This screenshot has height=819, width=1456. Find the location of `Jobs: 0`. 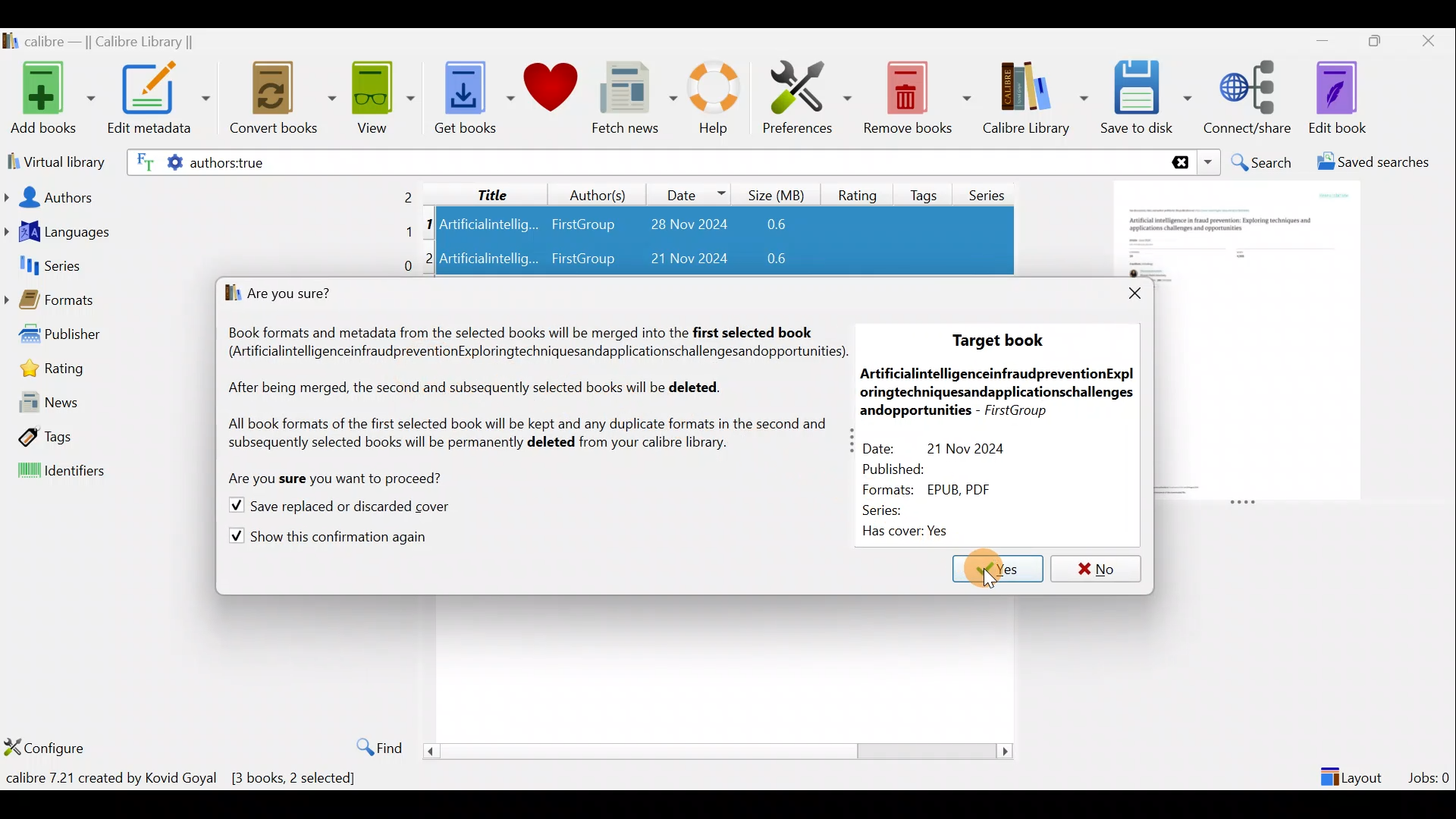

Jobs: 0 is located at coordinates (1430, 773).